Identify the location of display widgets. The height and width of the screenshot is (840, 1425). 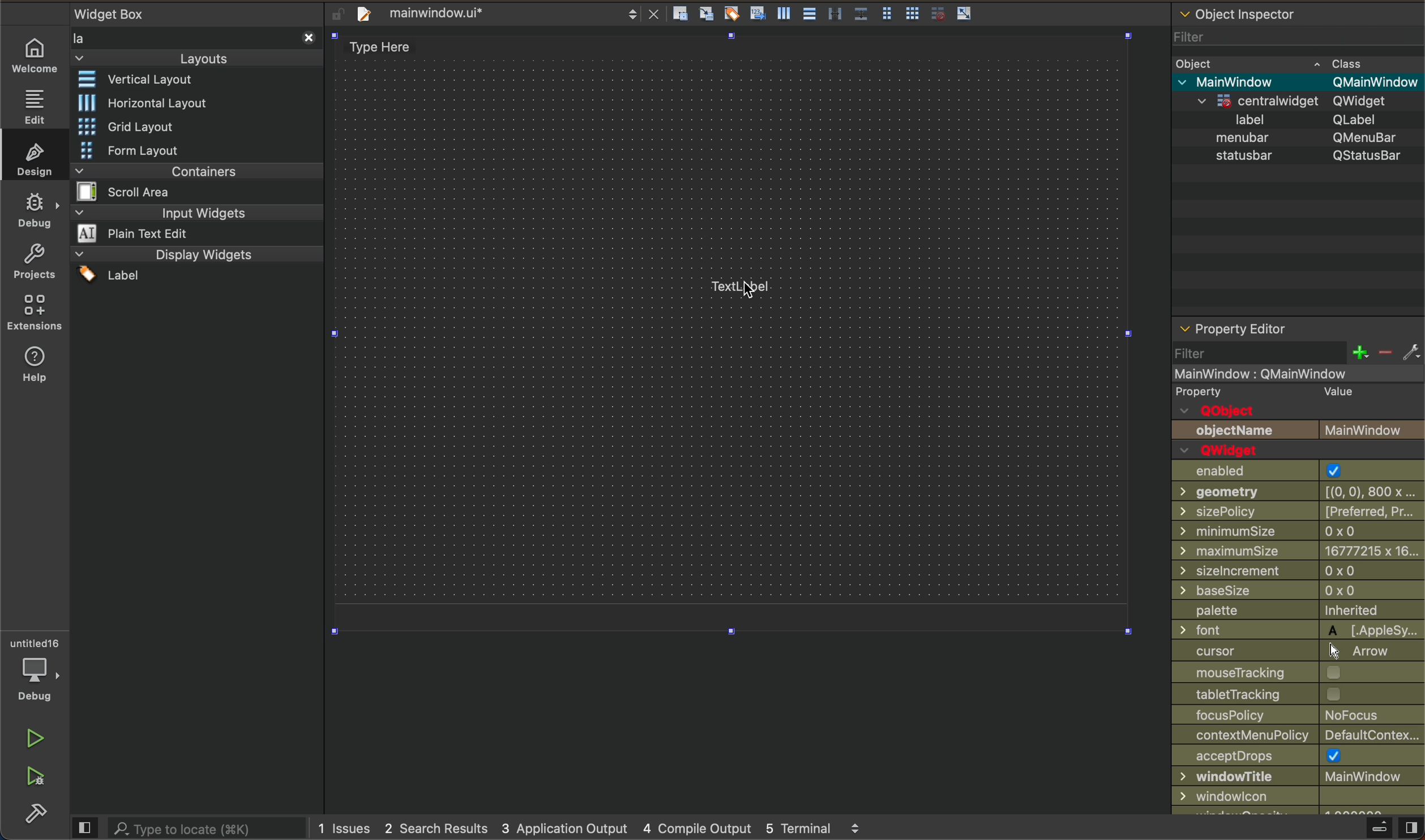
(197, 267).